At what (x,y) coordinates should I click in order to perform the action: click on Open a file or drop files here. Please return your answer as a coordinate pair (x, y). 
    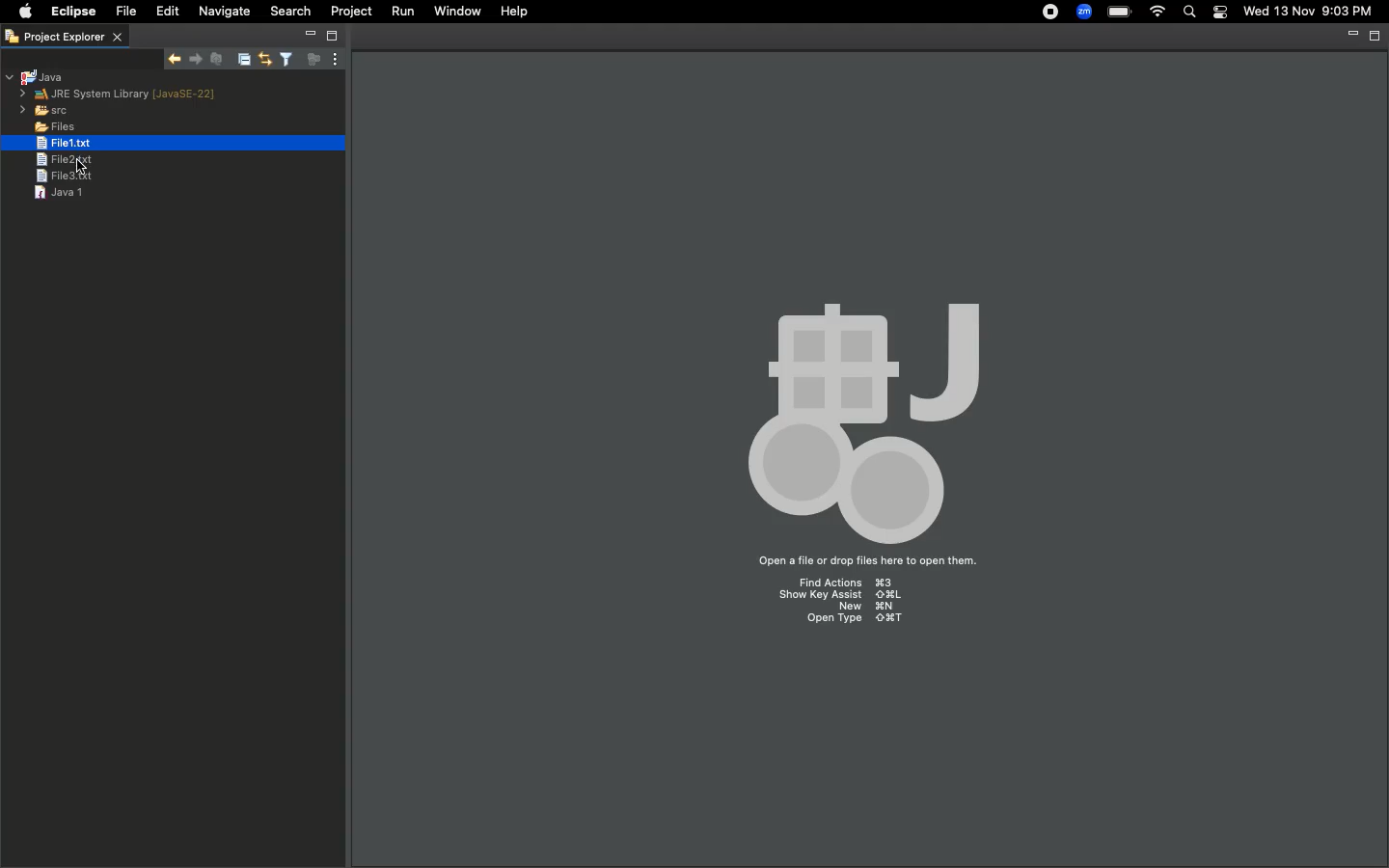
    Looking at the image, I should click on (865, 562).